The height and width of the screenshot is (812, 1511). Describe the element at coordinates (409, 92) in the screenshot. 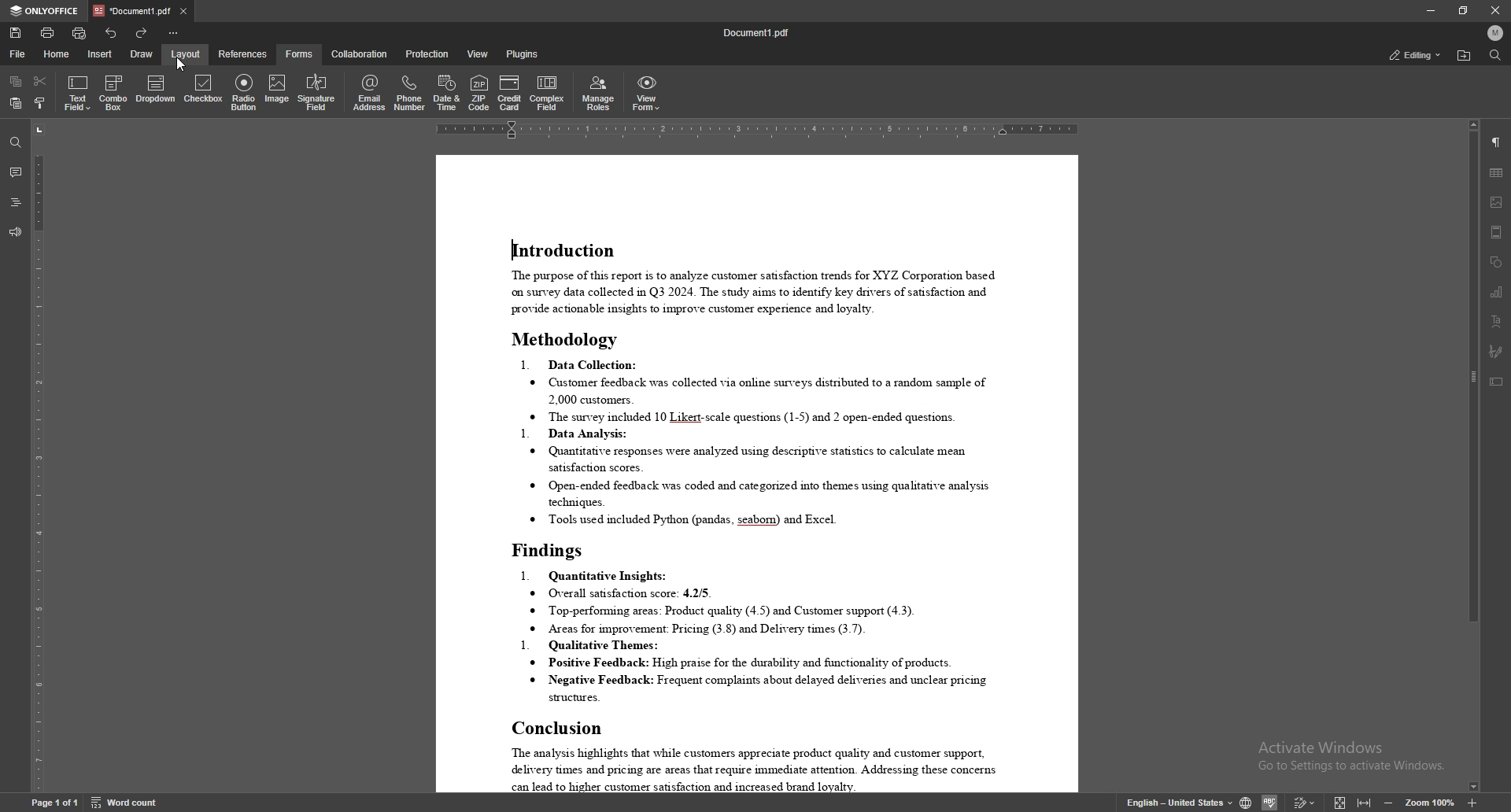

I see `phone number` at that location.